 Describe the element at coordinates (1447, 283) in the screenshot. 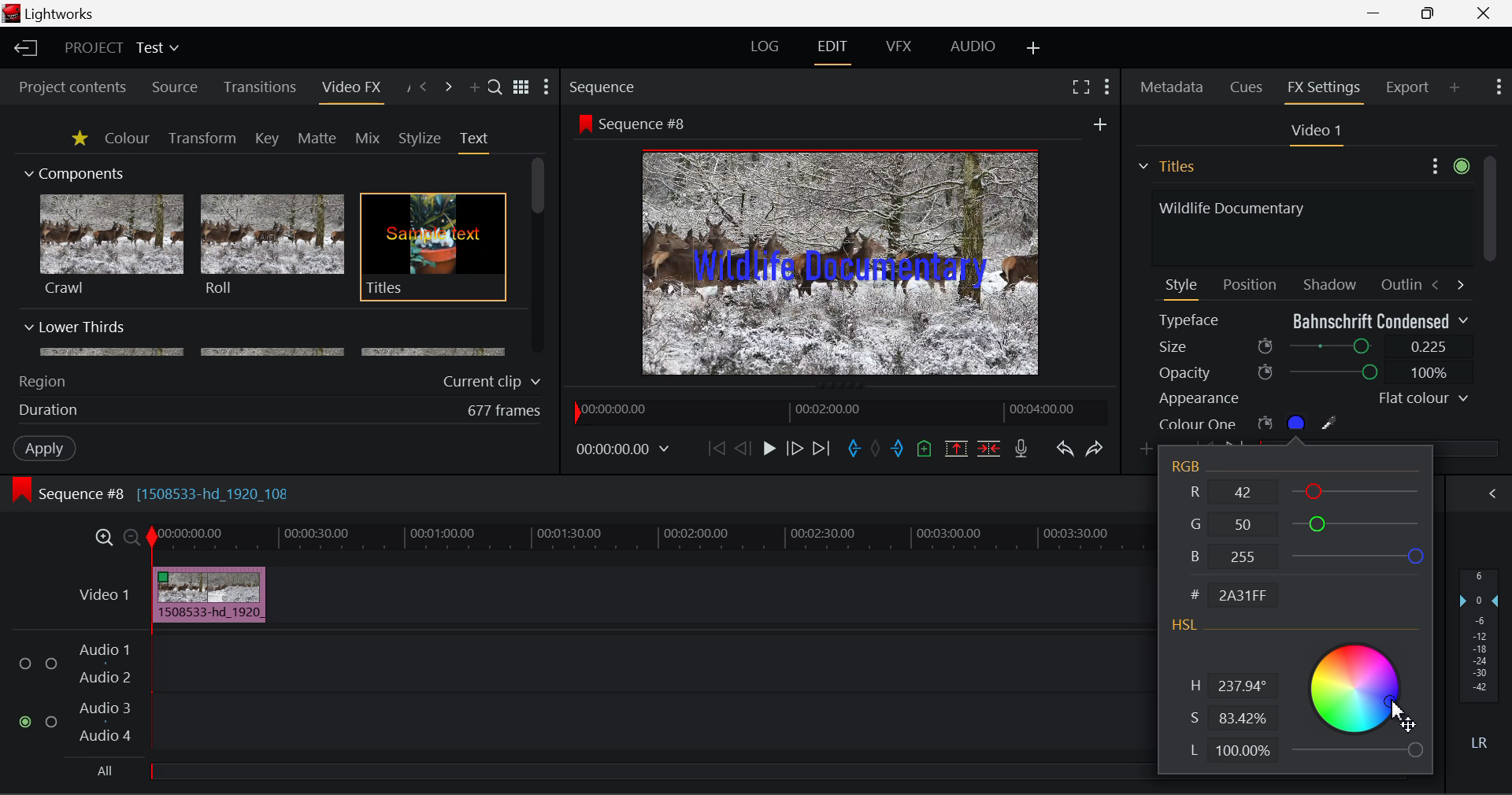

I see `Move between Tabs` at that location.